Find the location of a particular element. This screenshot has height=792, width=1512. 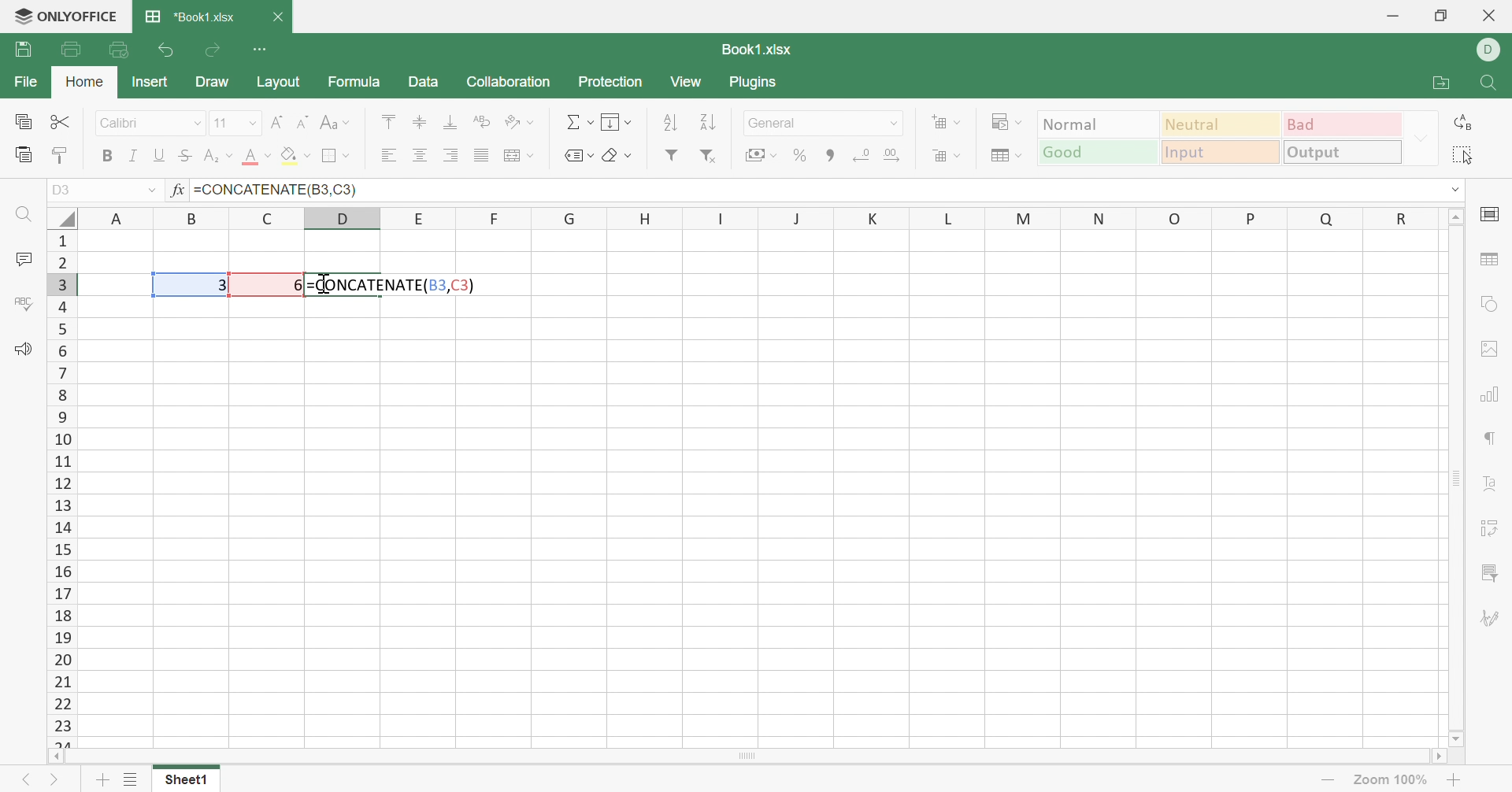

=CONCATENATE(B3,C3) is located at coordinates (276, 190).